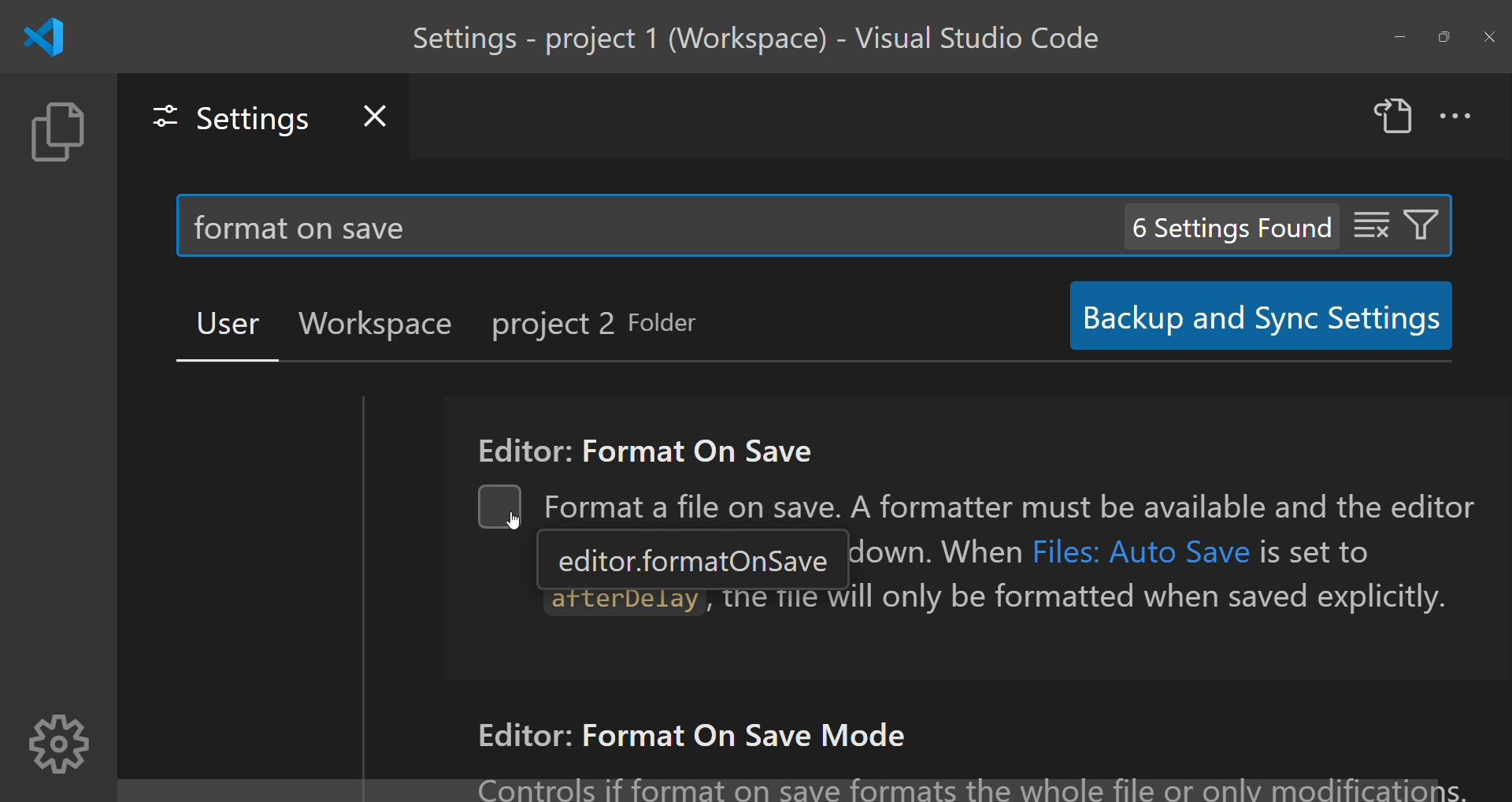 This screenshot has height=802, width=1512. Describe the element at coordinates (1443, 35) in the screenshot. I see `maximize` at that location.